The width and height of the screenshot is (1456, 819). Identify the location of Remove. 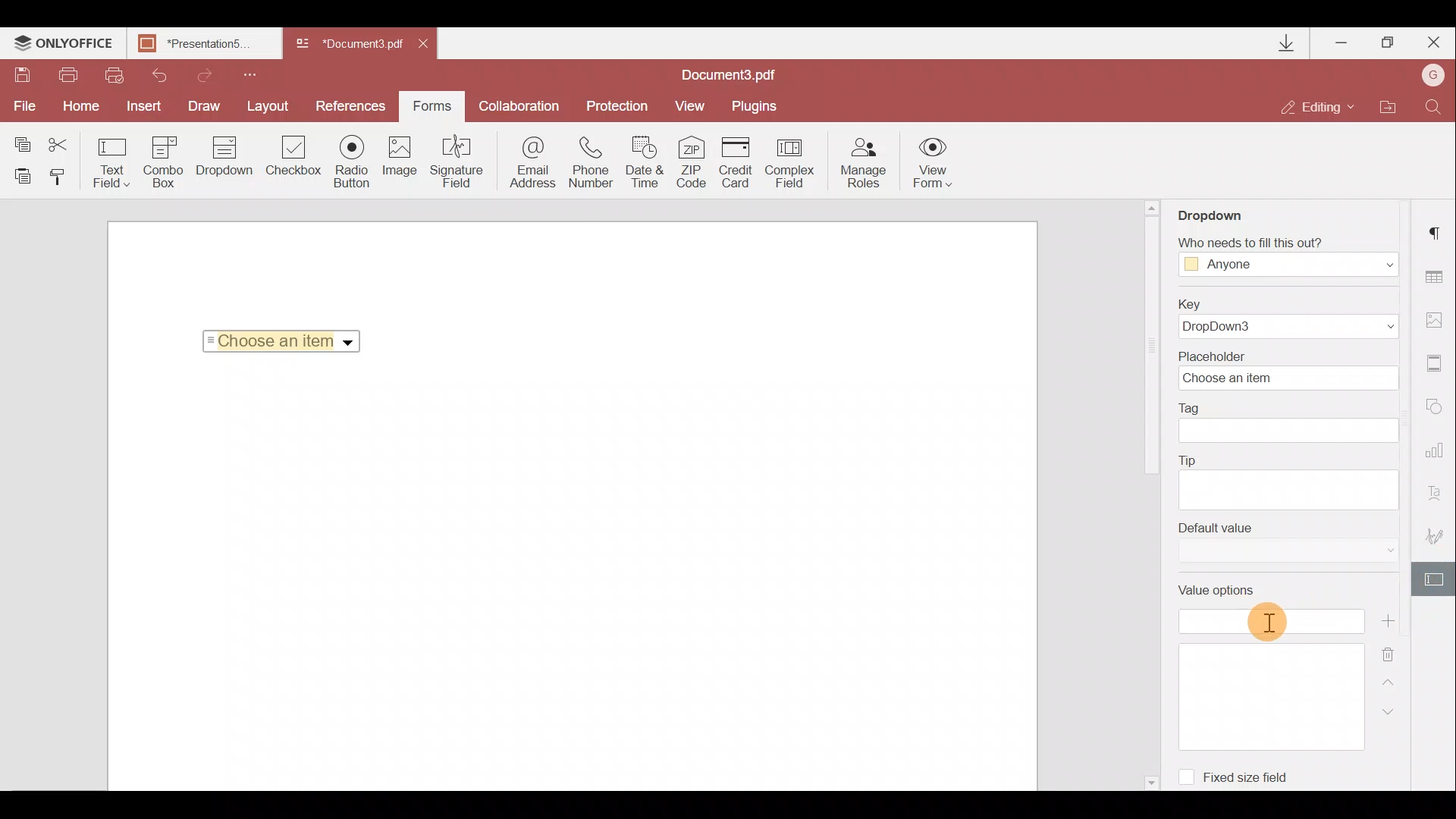
(1392, 650).